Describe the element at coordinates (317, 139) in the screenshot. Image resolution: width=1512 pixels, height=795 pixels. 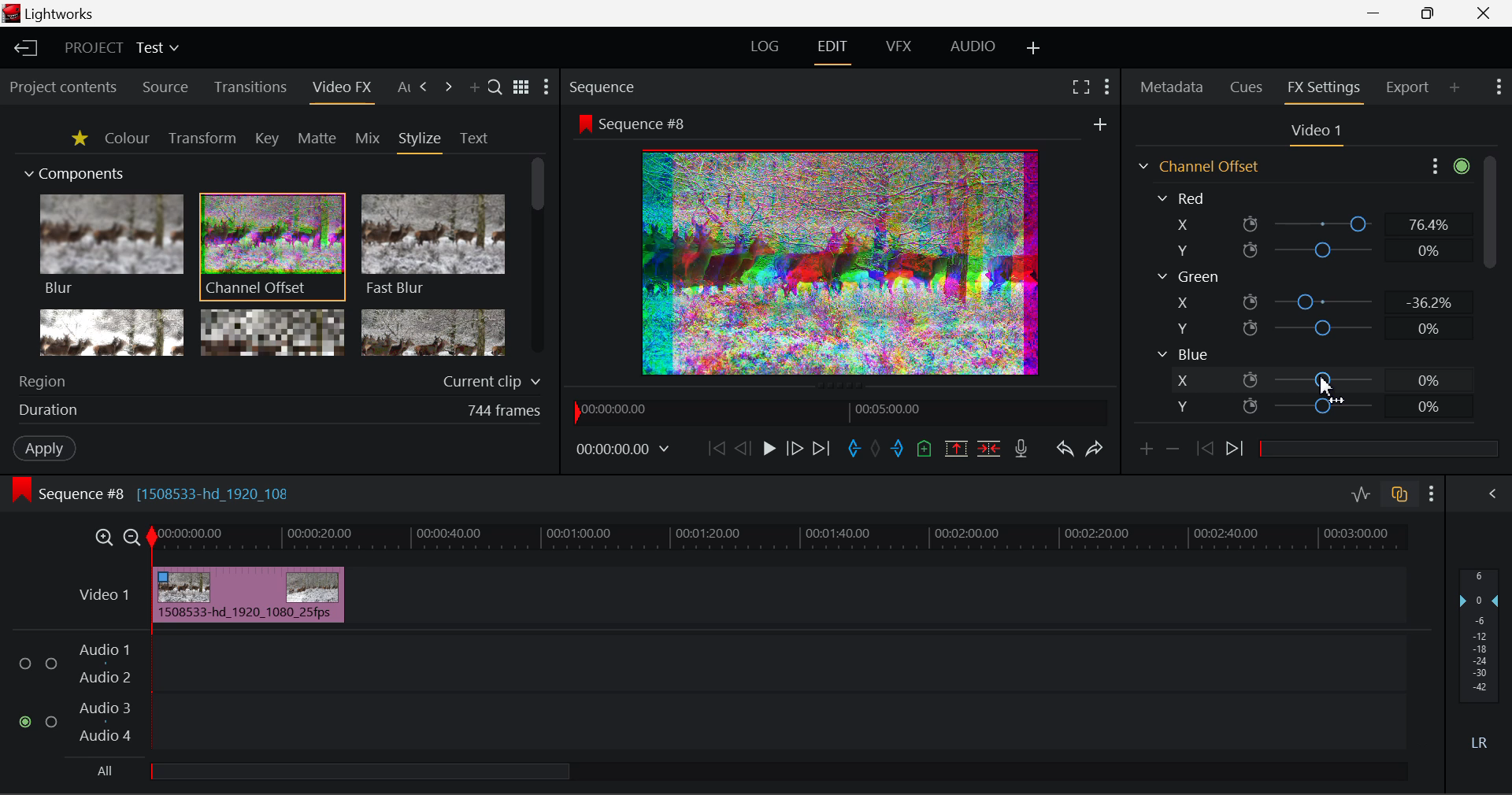
I see `Matte` at that location.